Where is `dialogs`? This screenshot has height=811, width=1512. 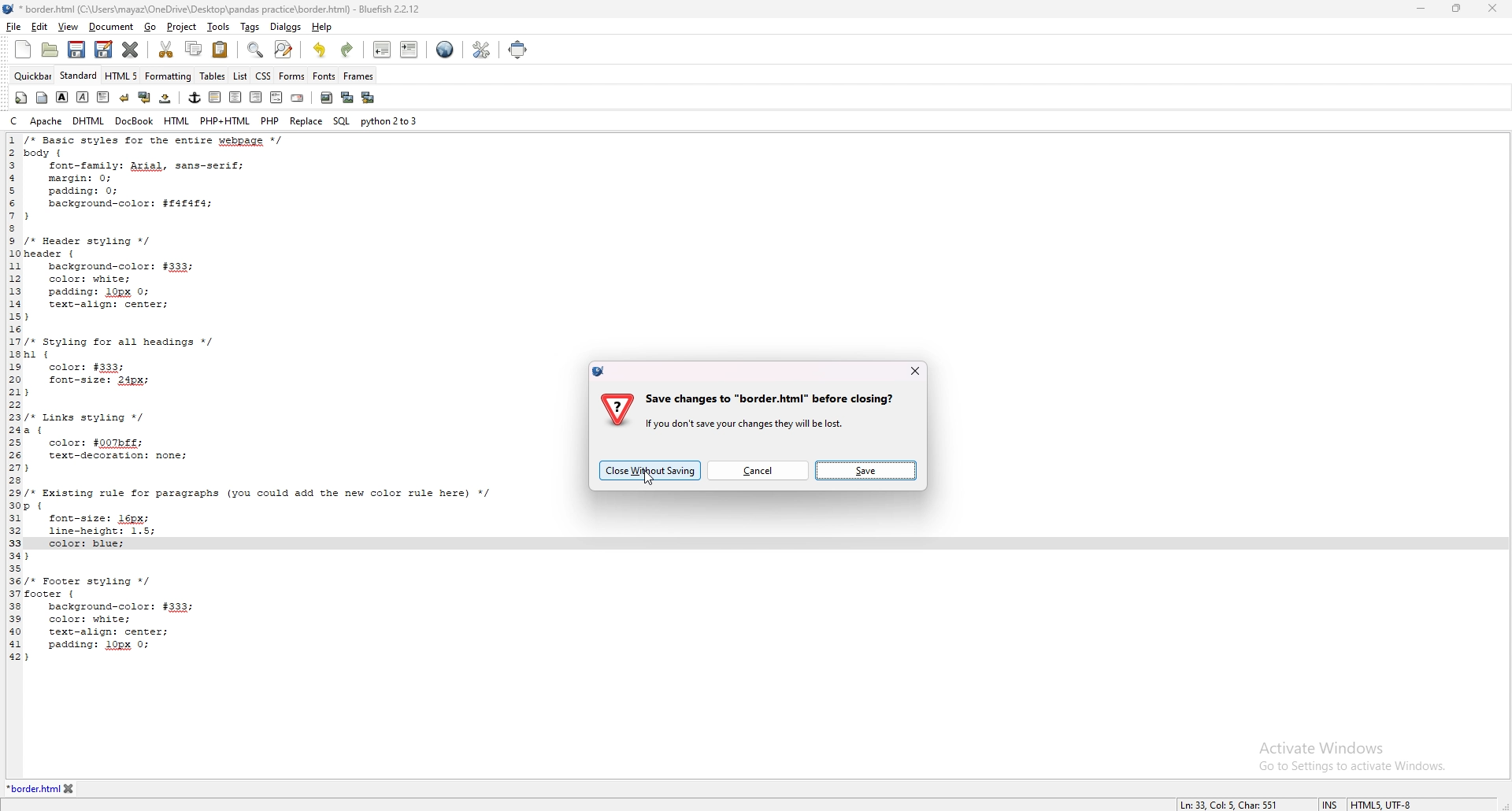
dialogs is located at coordinates (287, 26).